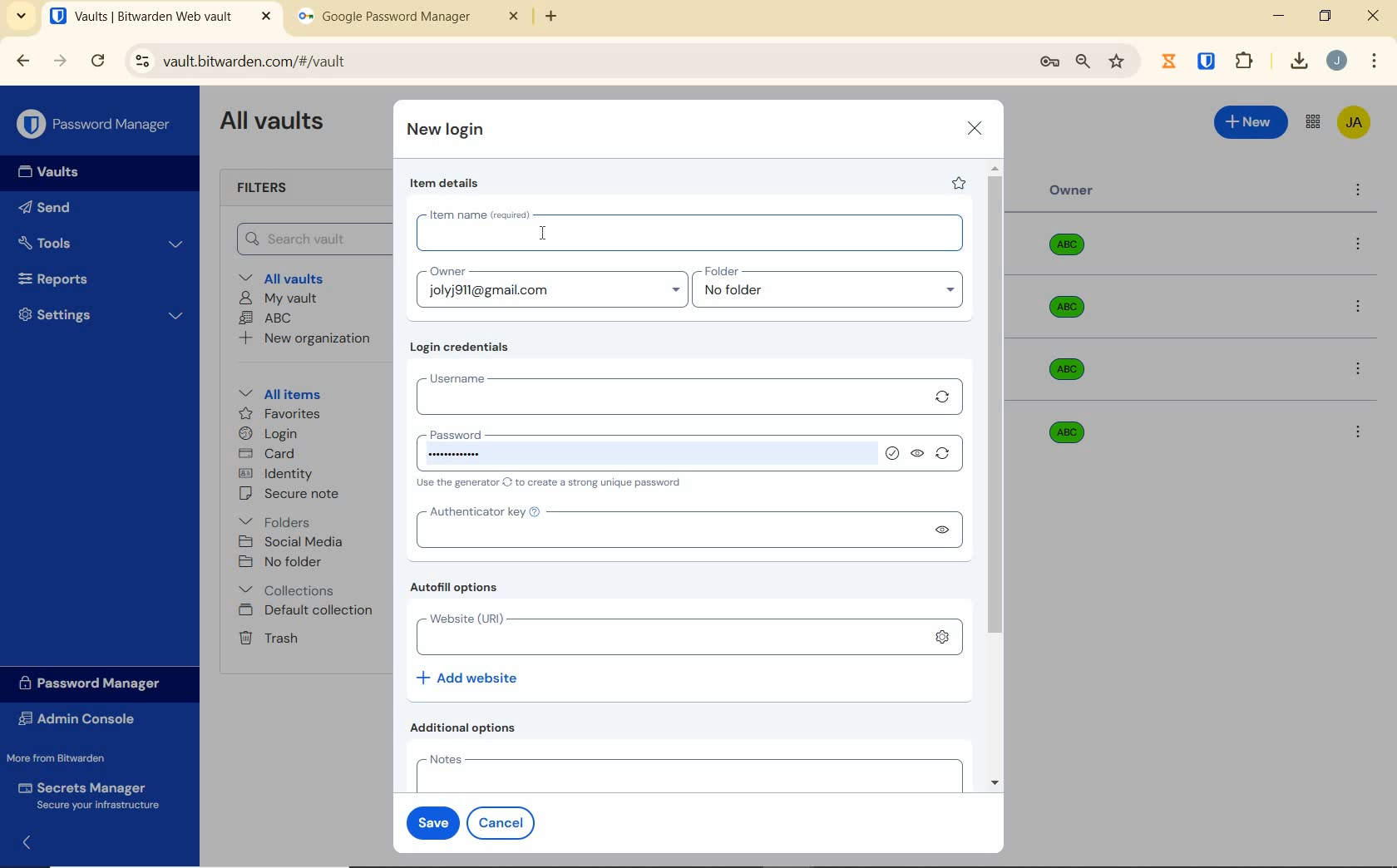 The image size is (1397, 868). Describe the element at coordinates (266, 455) in the screenshot. I see `card` at that location.